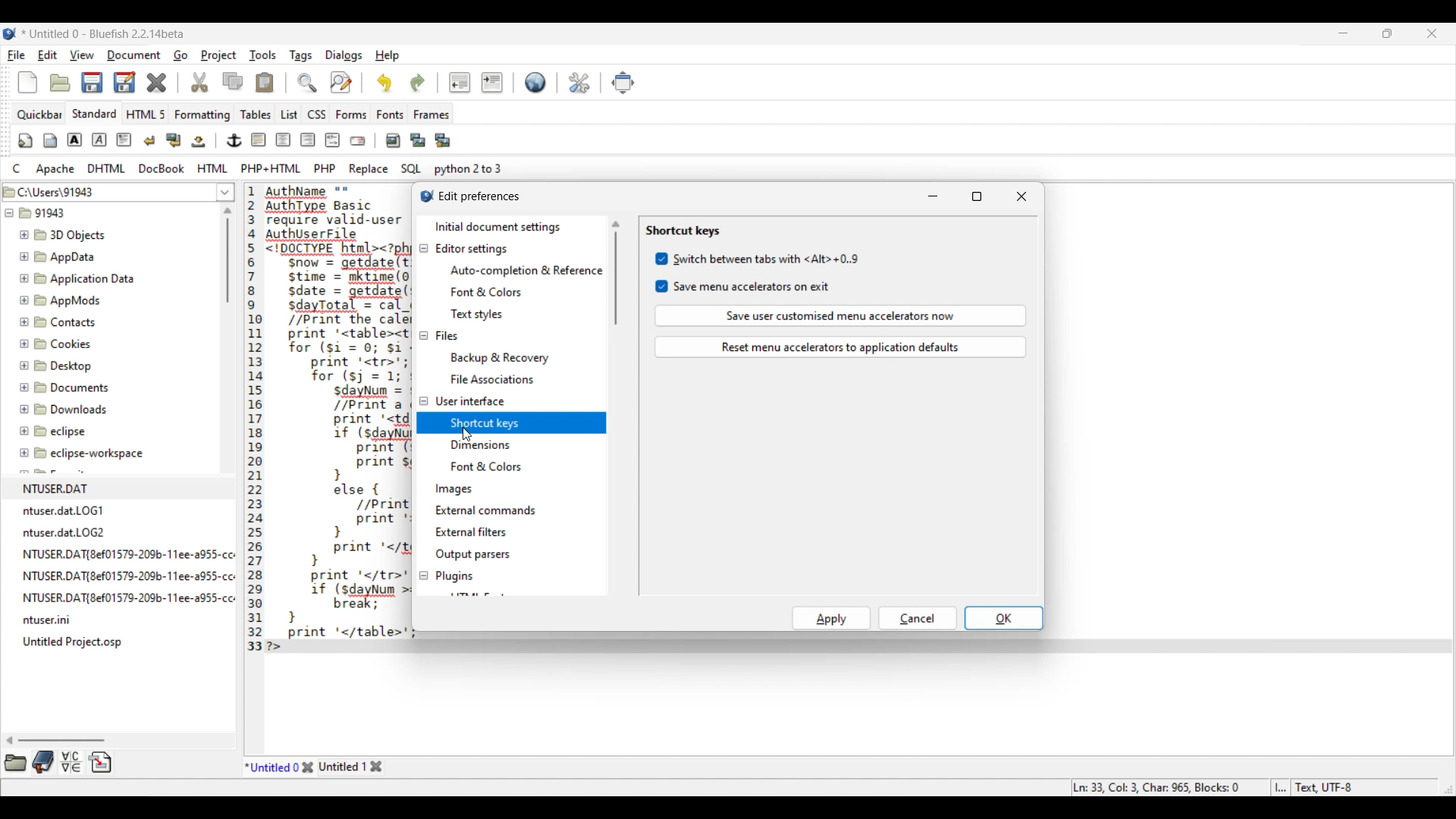  I want to click on Files setting options, so click(526, 368).